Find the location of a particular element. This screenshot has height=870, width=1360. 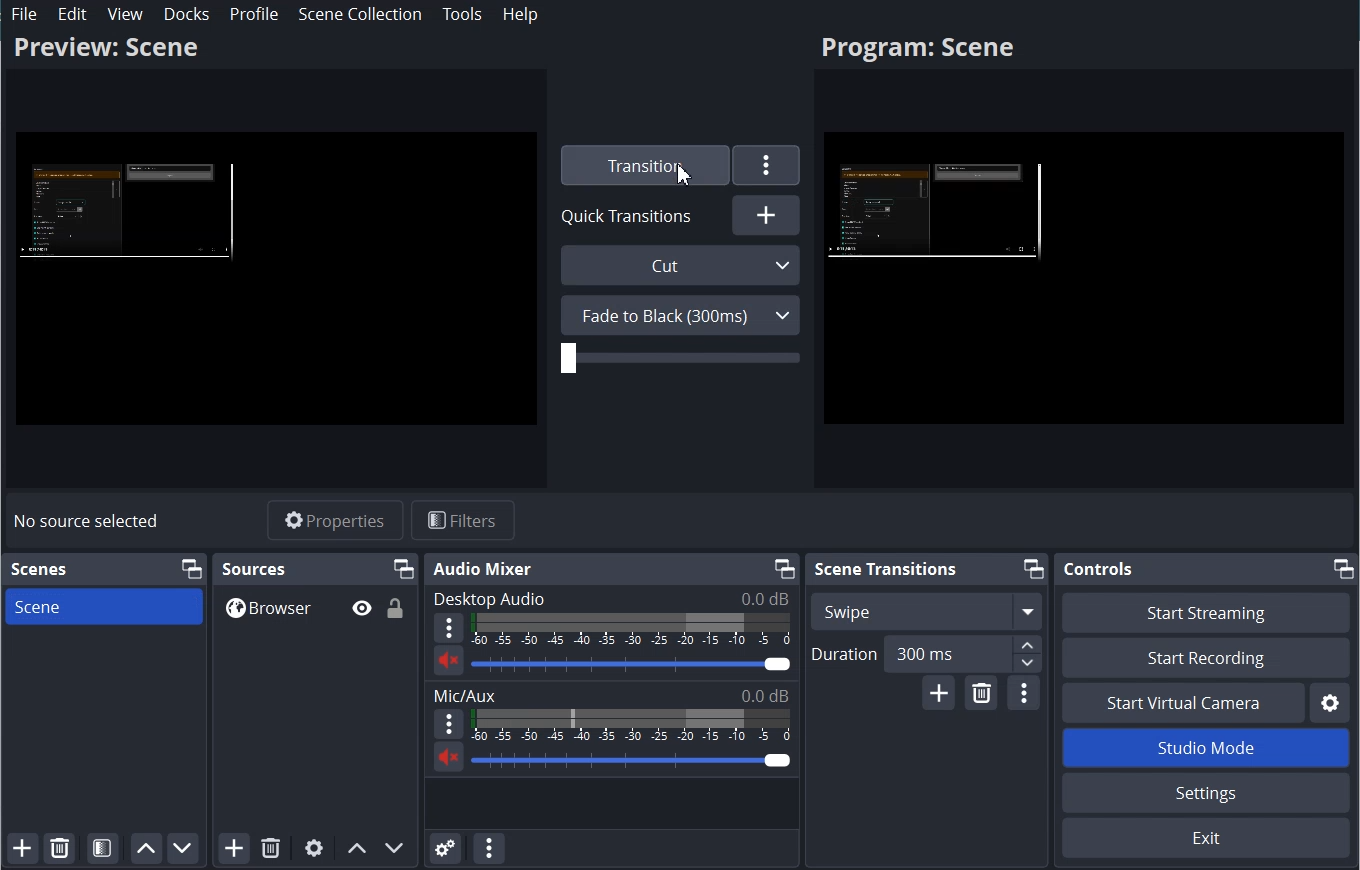

Settings is located at coordinates (1206, 792).